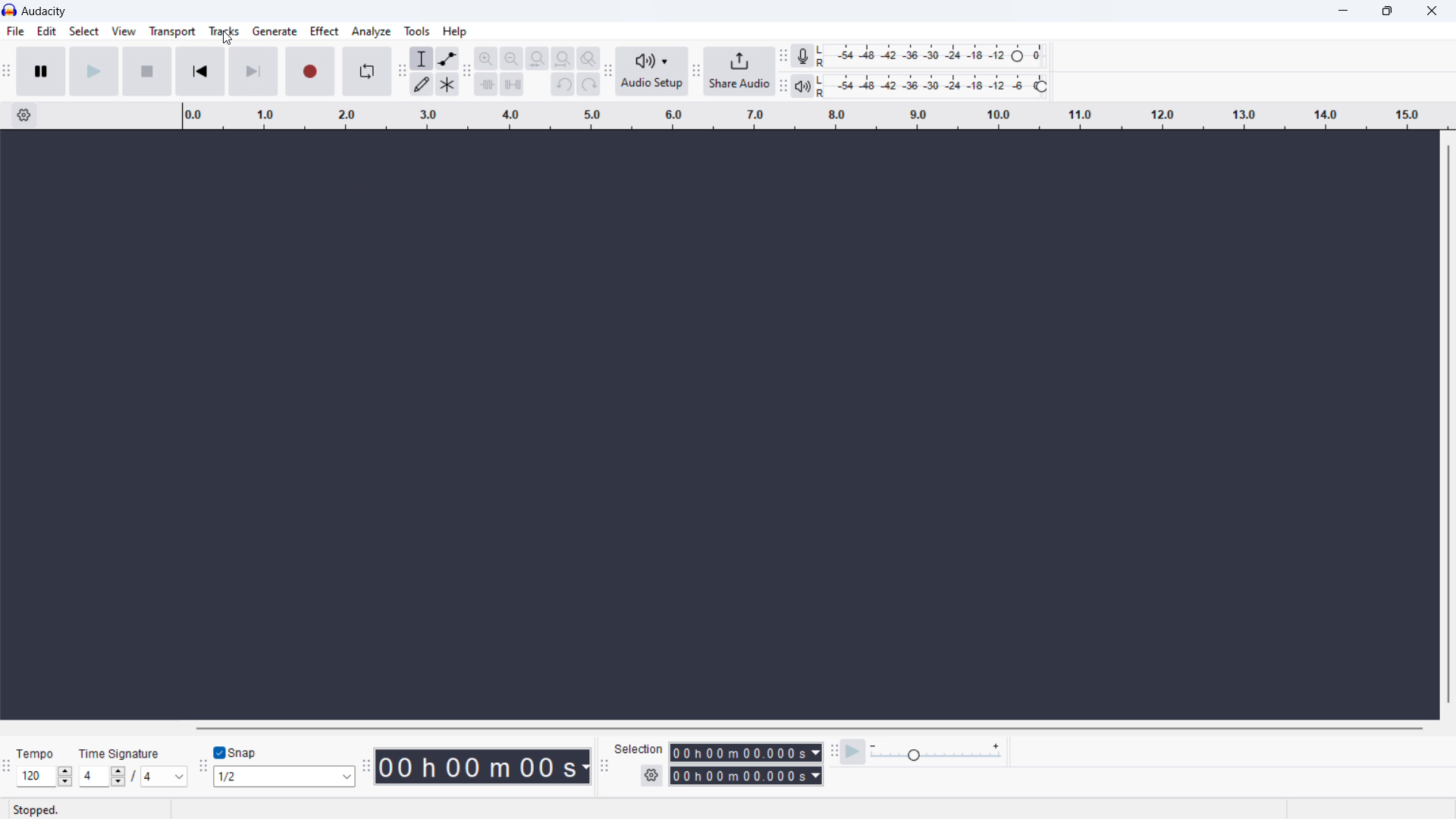 Image resolution: width=1456 pixels, height=819 pixels. Describe the element at coordinates (146, 71) in the screenshot. I see `stop` at that location.